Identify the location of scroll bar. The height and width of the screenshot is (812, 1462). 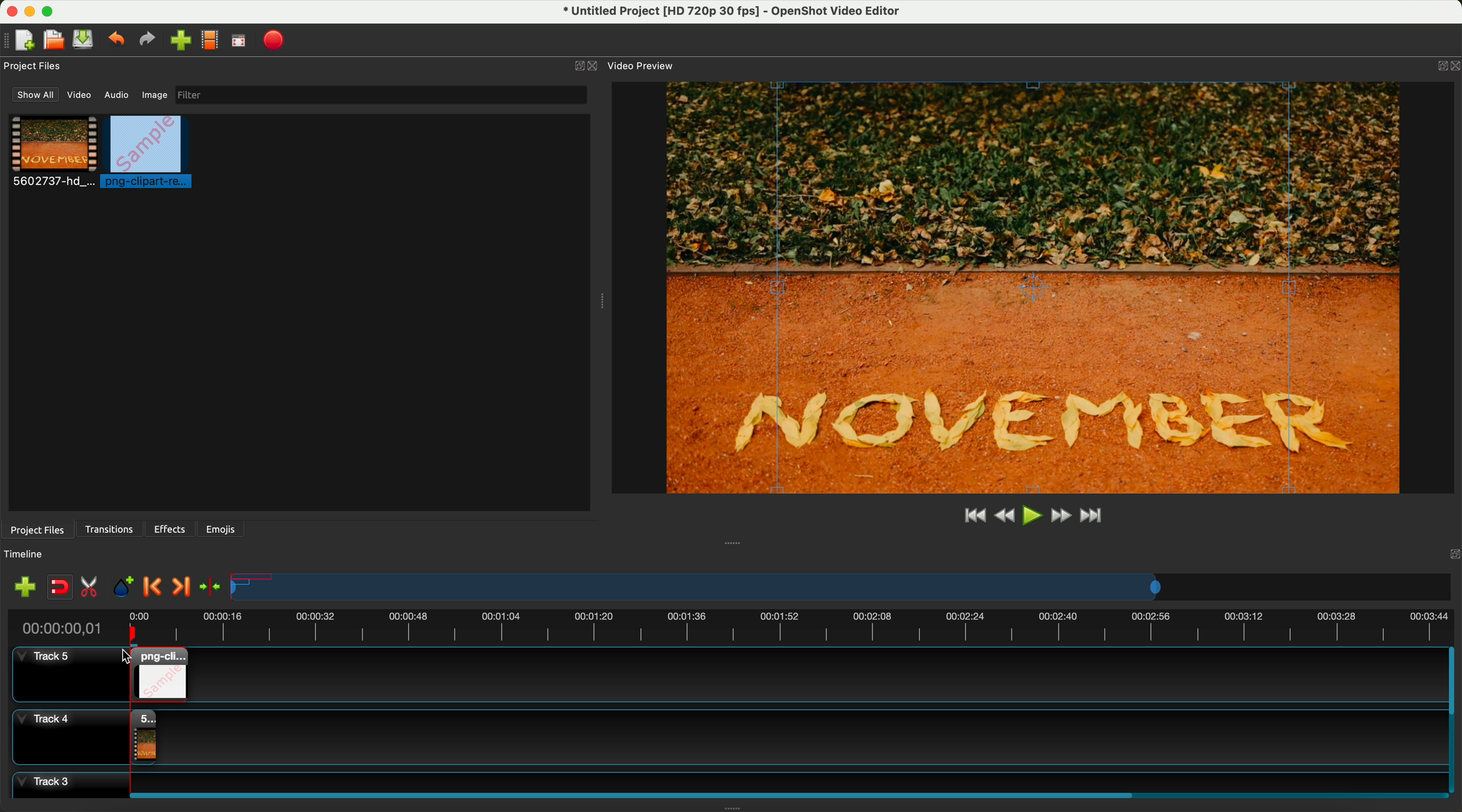
(1453, 720).